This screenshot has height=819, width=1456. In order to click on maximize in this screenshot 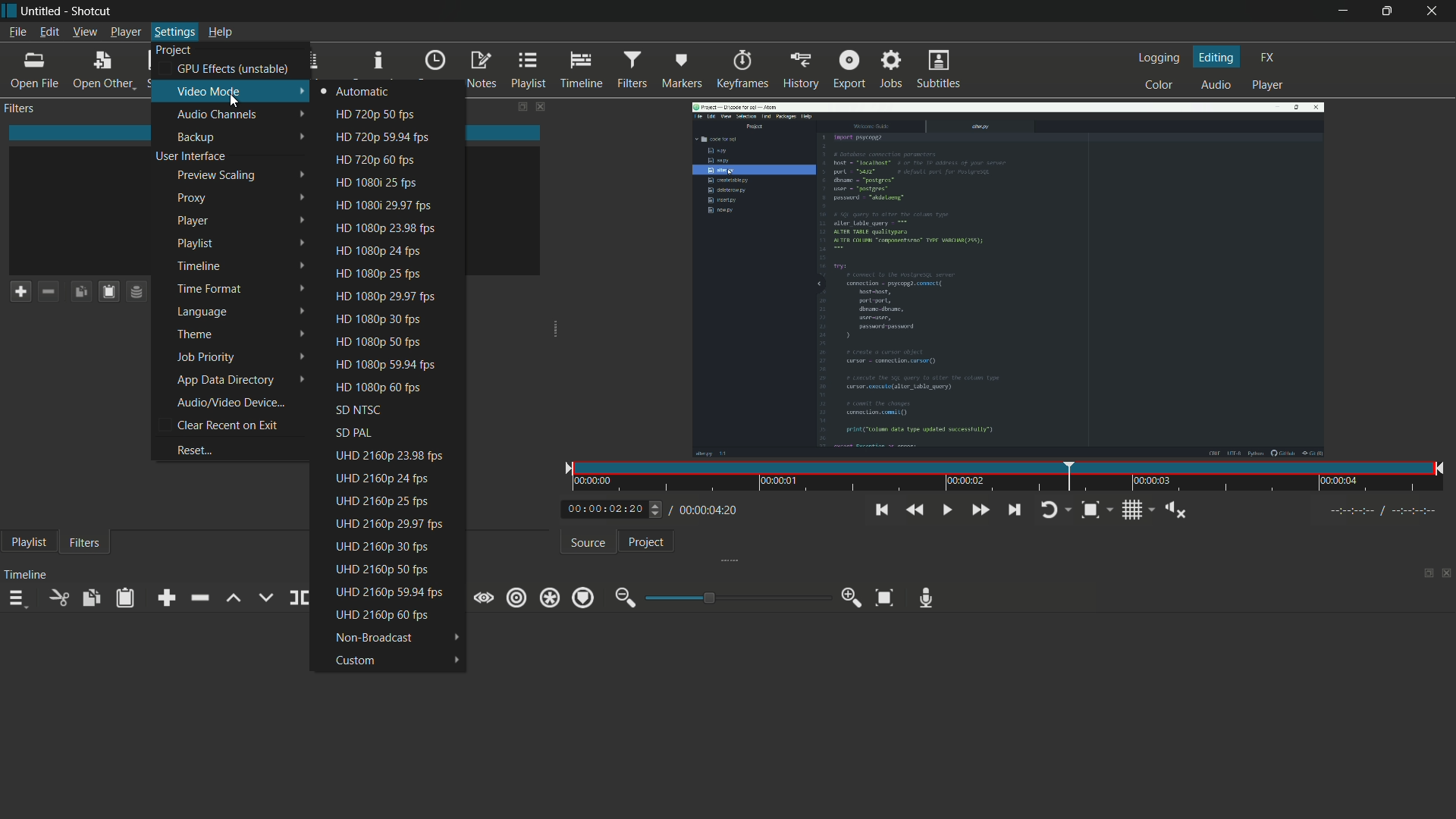, I will do `click(1387, 11)`.